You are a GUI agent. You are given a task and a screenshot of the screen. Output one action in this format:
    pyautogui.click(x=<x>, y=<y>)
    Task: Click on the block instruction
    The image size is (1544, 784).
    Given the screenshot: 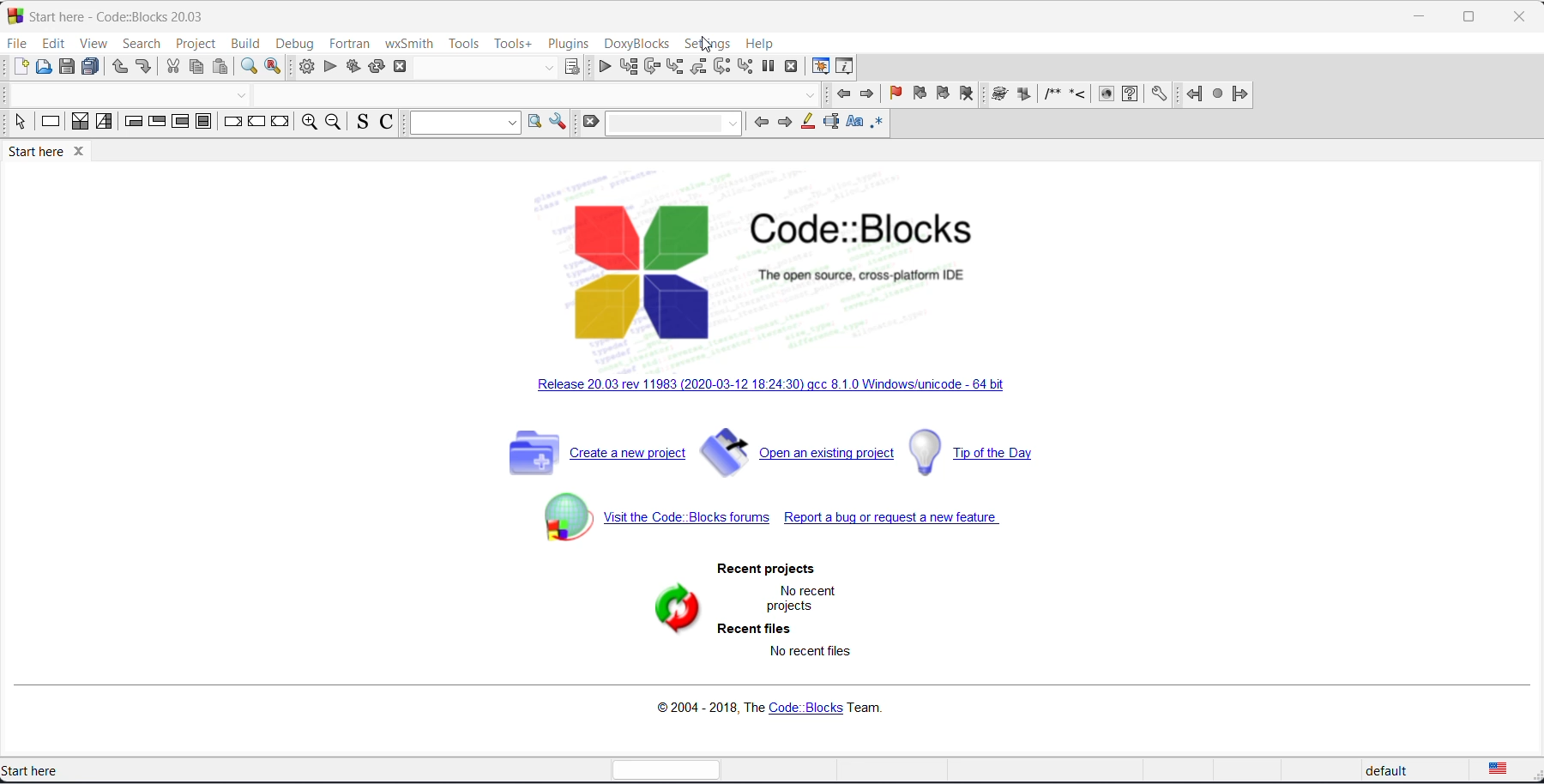 What is the action you would take?
    pyautogui.click(x=204, y=122)
    